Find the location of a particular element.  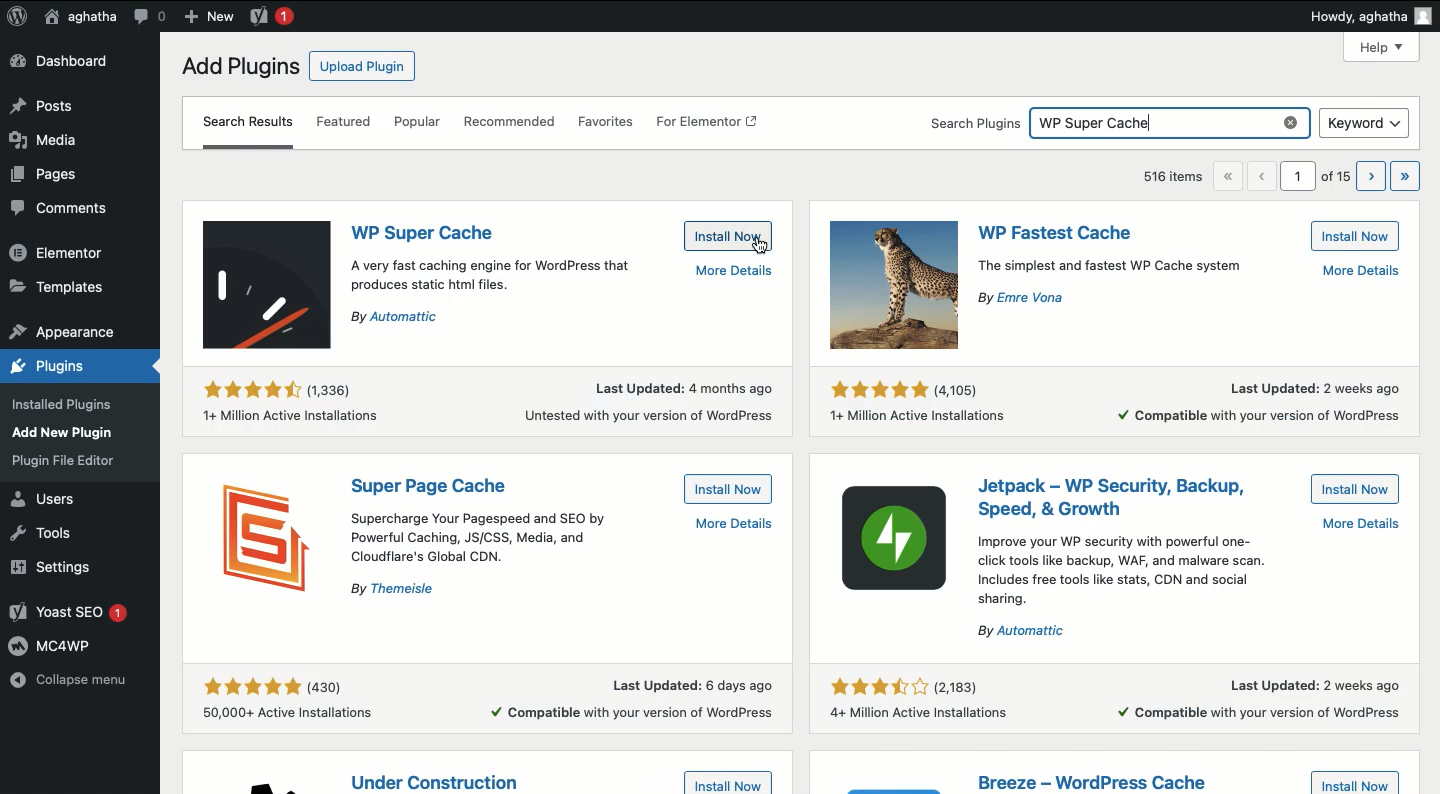

Install now is located at coordinates (728, 783).